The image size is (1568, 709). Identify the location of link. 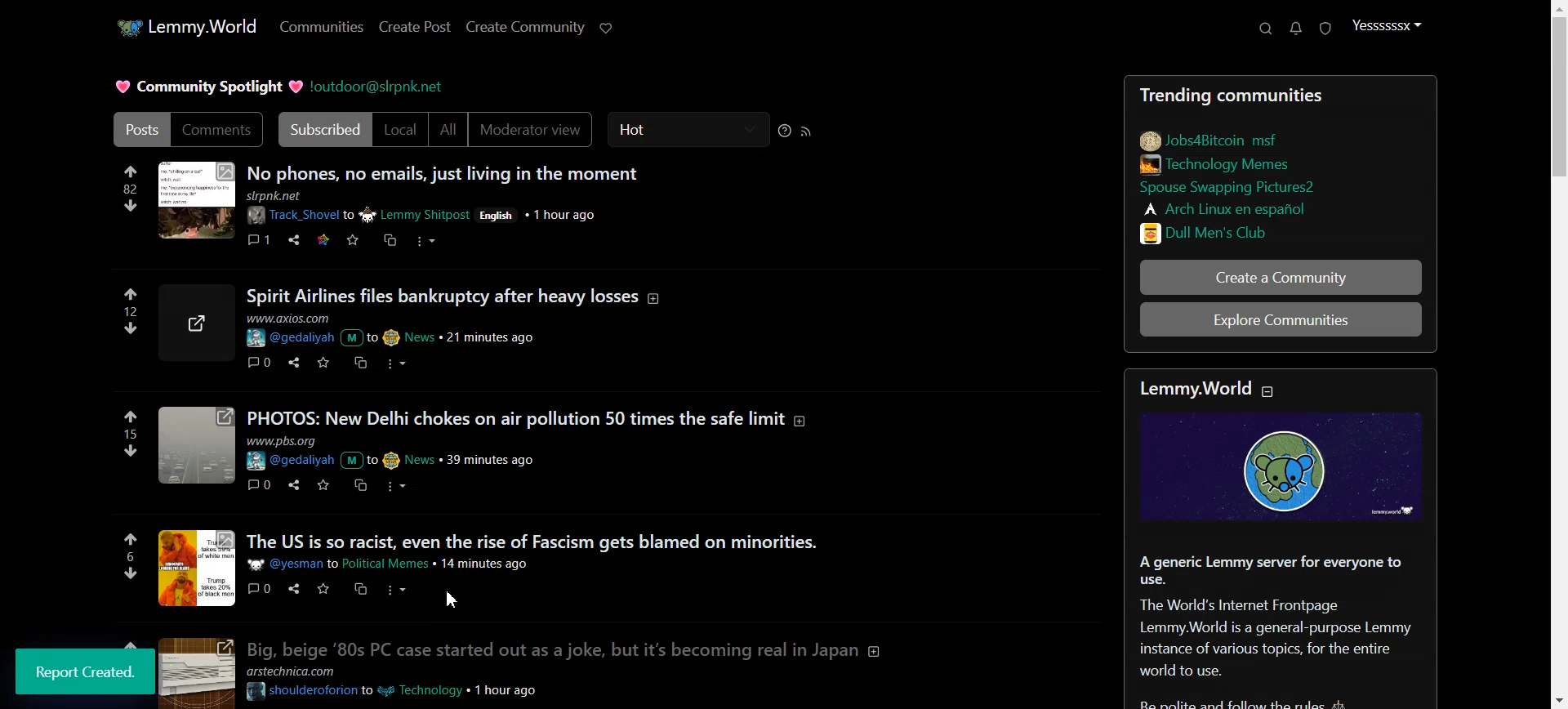
(1229, 207).